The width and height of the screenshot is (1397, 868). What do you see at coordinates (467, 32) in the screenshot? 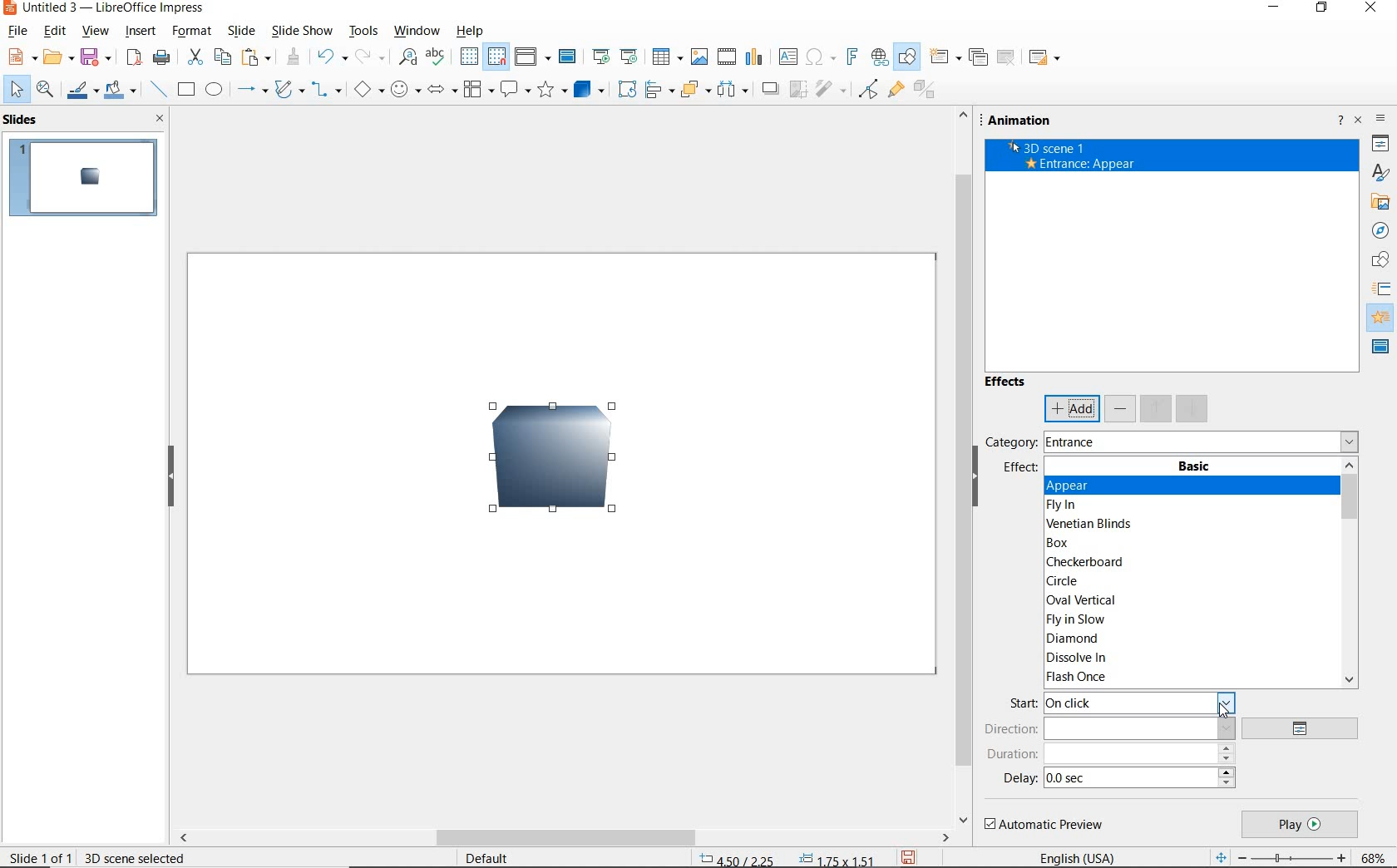
I see `help` at bounding box center [467, 32].